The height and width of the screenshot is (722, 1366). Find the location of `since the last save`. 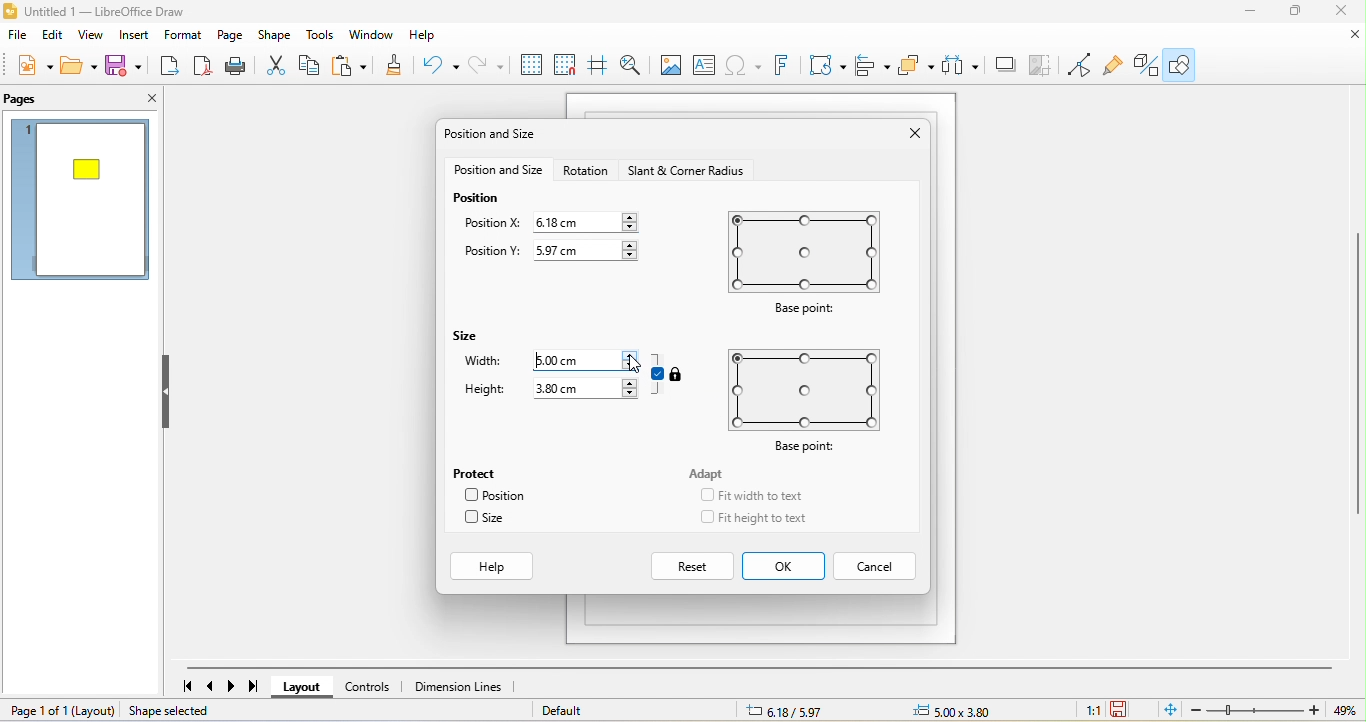

since the last save is located at coordinates (1123, 710).